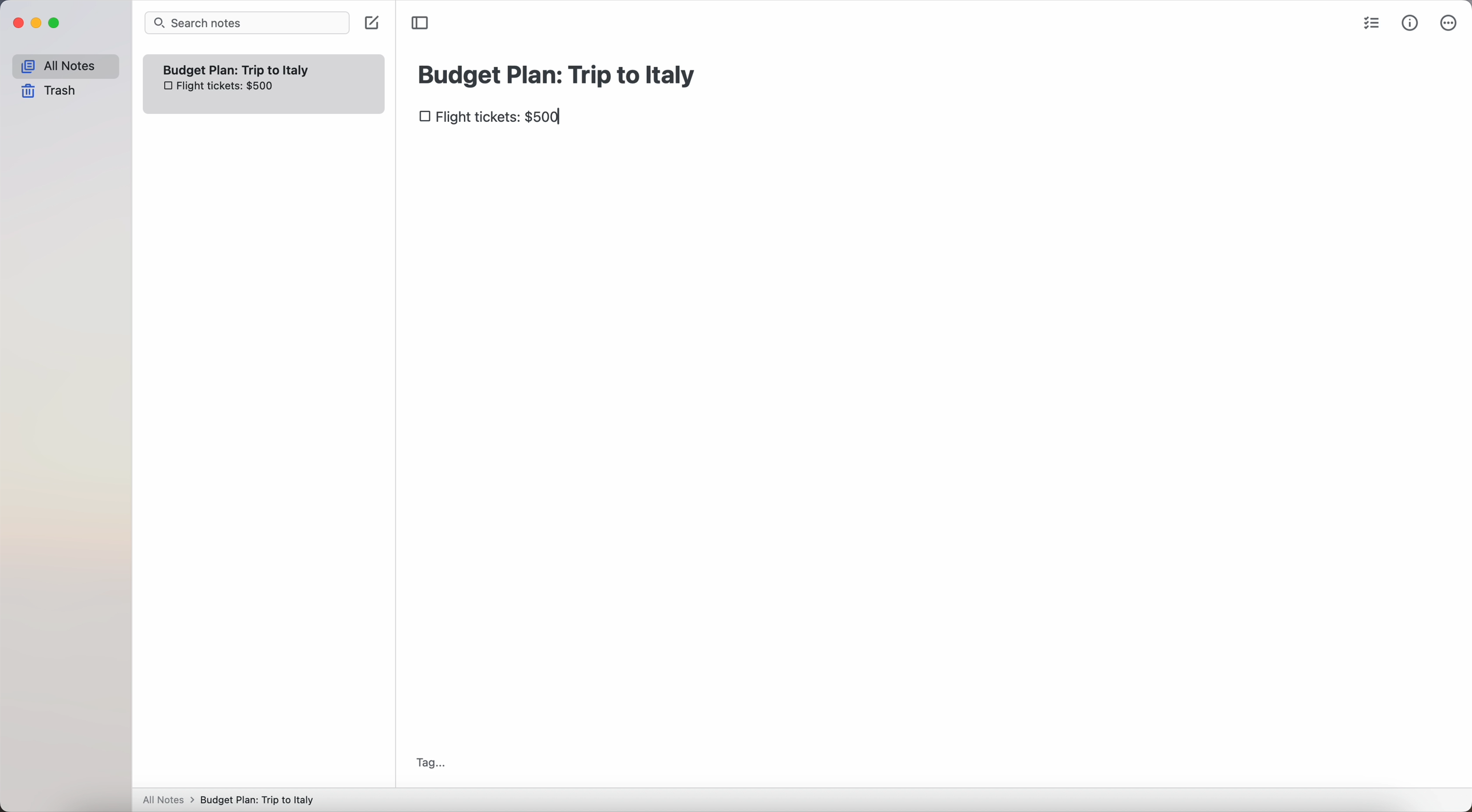  I want to click on flight tickets: $500, so click(217, 87).